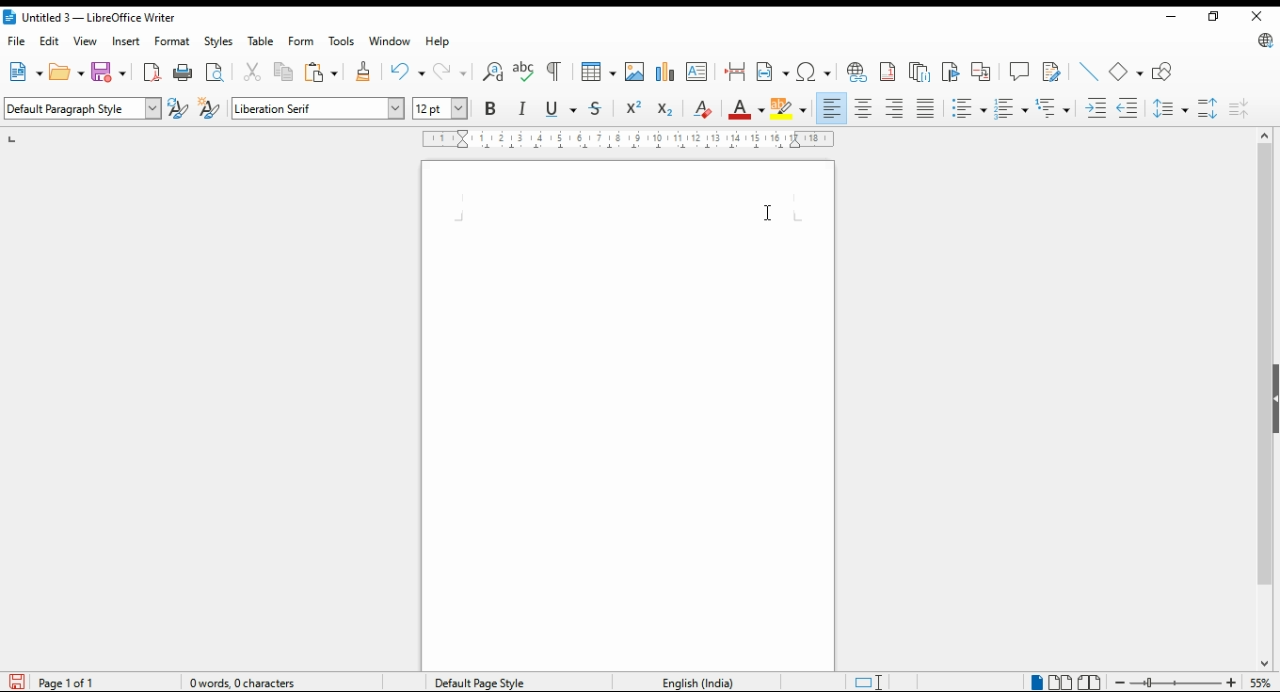 The image size is (1280, 692). I want to click on book view, so click(1090, 683).